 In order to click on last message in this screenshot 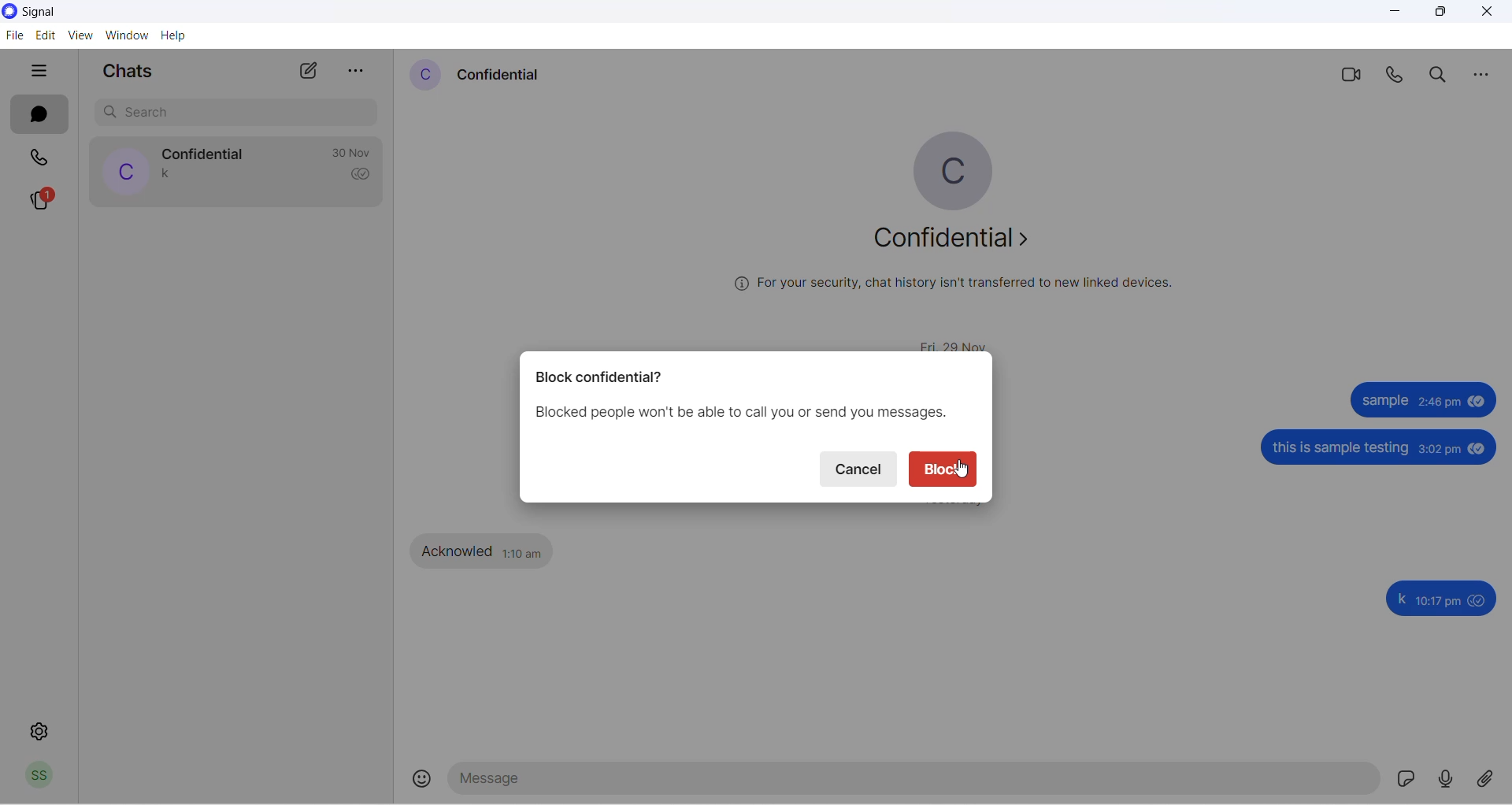, I will do `click(169, 173)`.